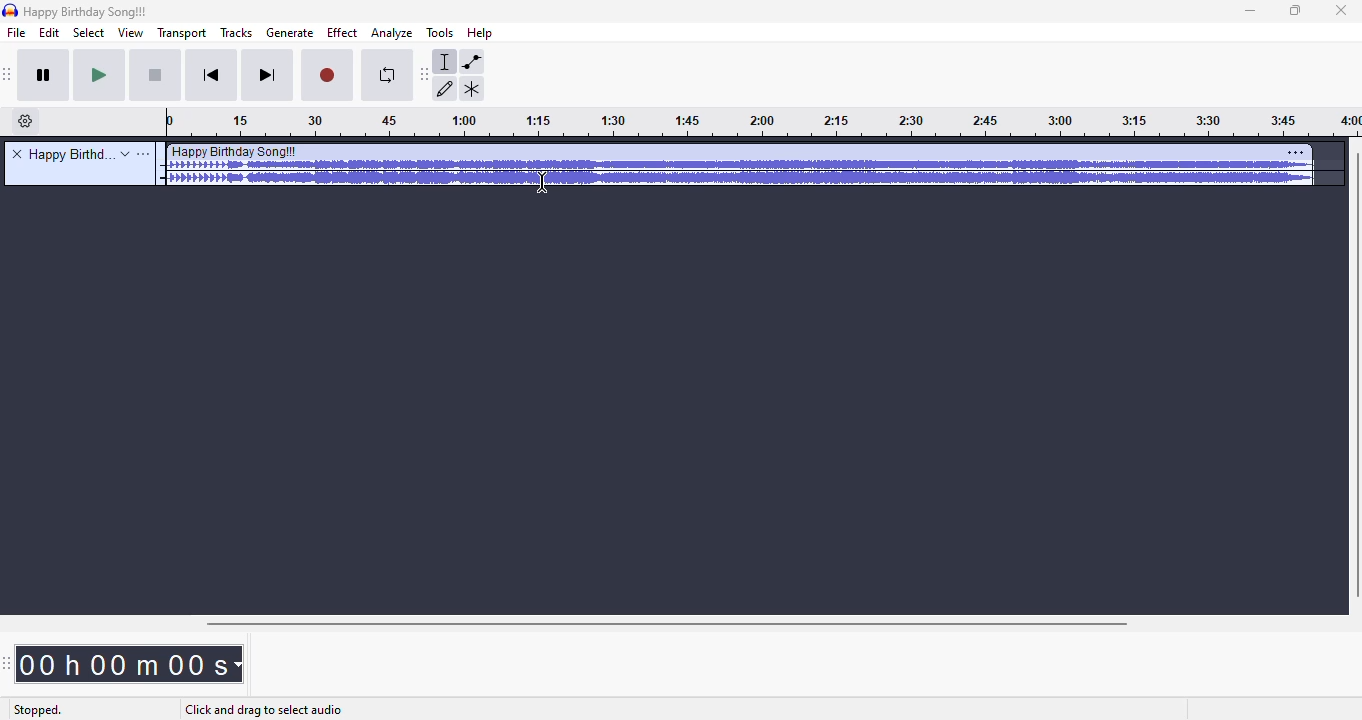 This screenshot has height=720, width=1362. What do you see at coordinates (9, 75) in the screenshot?
I see `audacity transport toolbar` at bounding box center [9, 75].